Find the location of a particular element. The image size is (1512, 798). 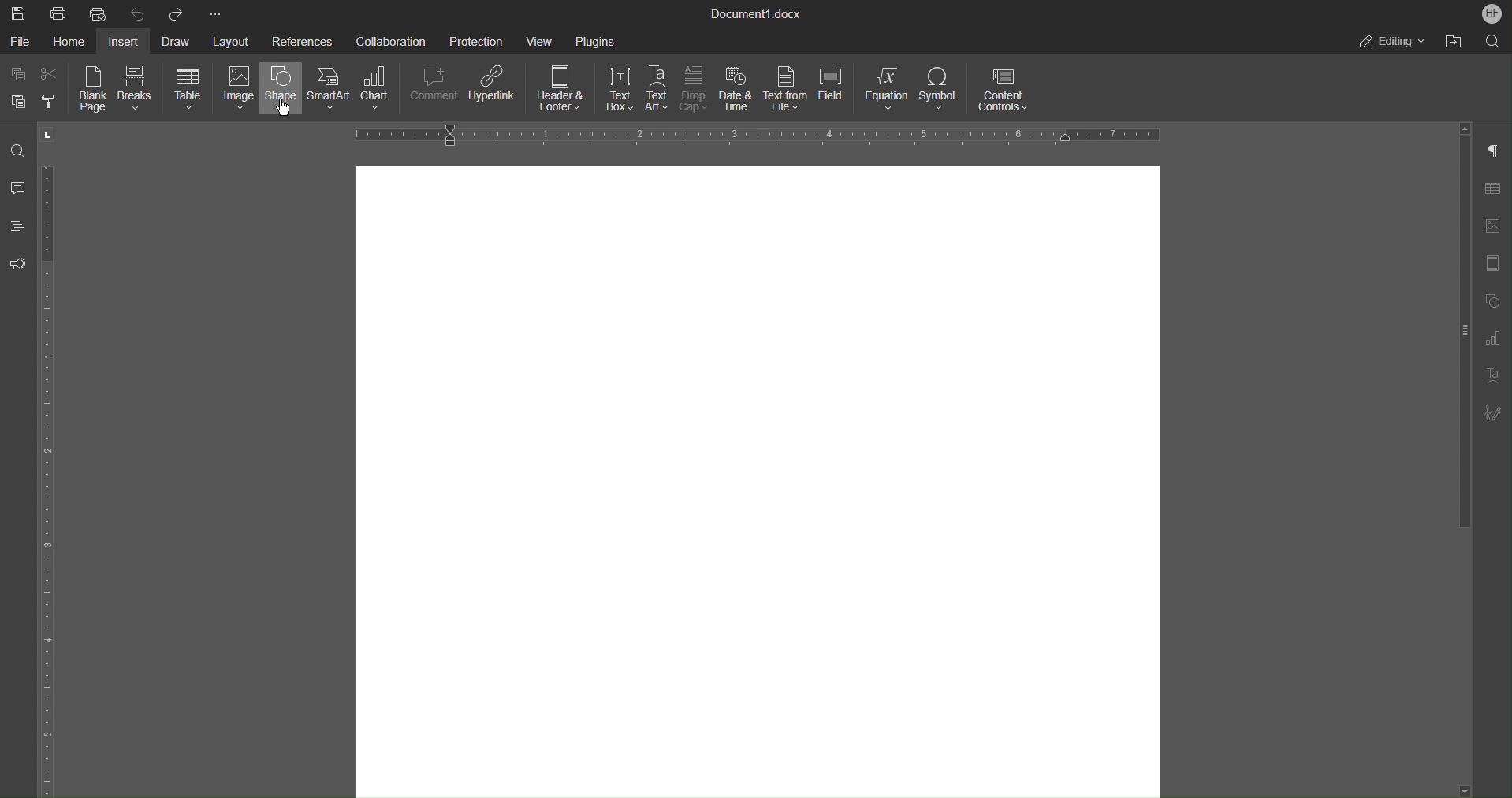

Headings is located at coordinates (20, 229).